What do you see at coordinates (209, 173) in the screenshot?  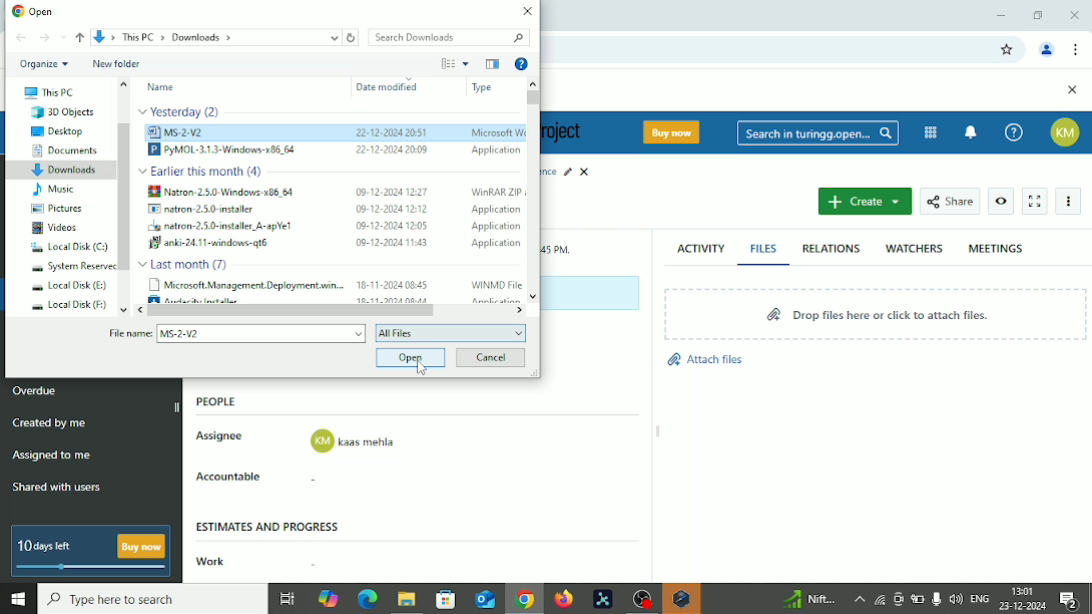 I see `file modified earlier this month` at bounding box center [209, 173].